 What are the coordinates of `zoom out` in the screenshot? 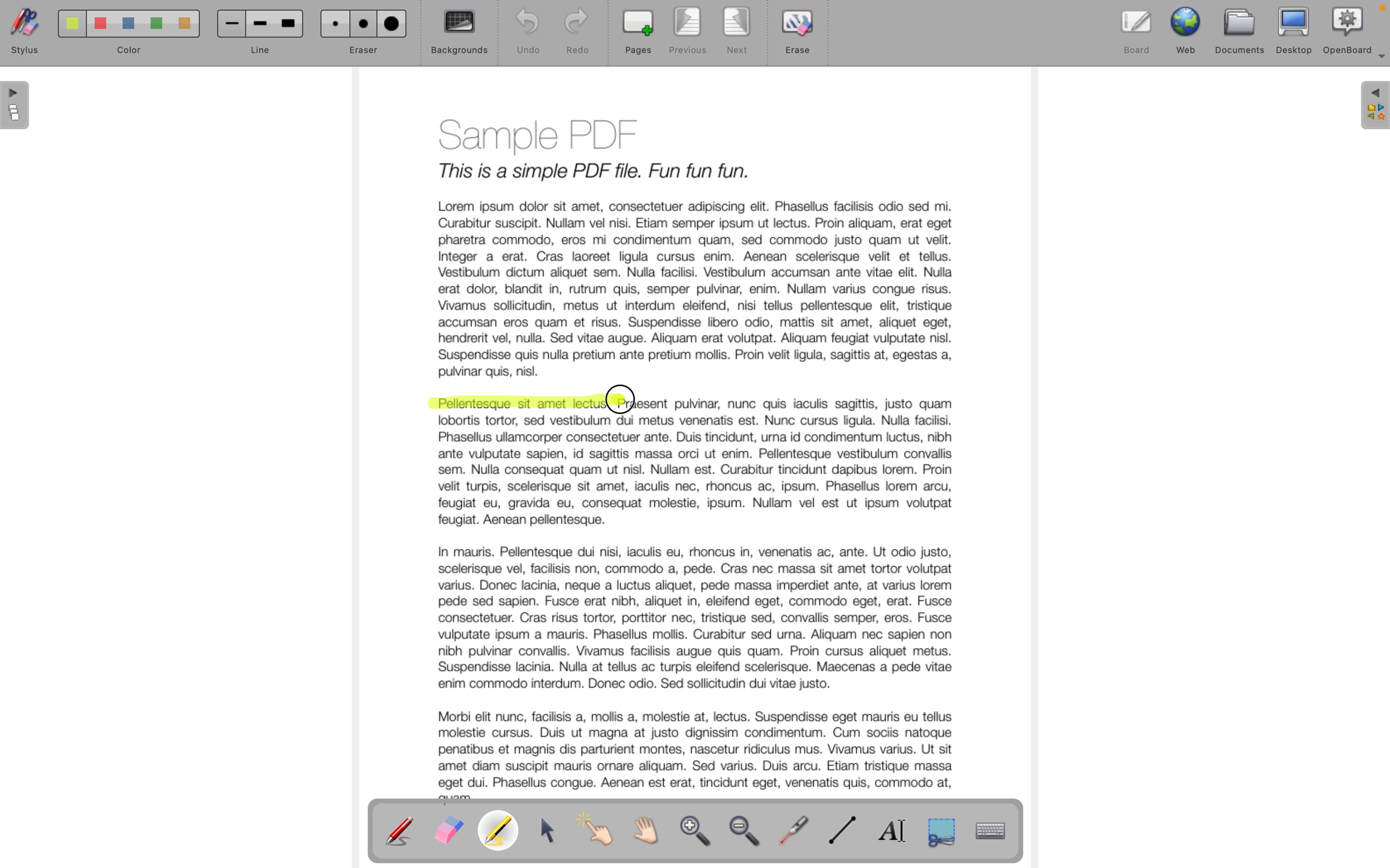 It's located at (748, 834).